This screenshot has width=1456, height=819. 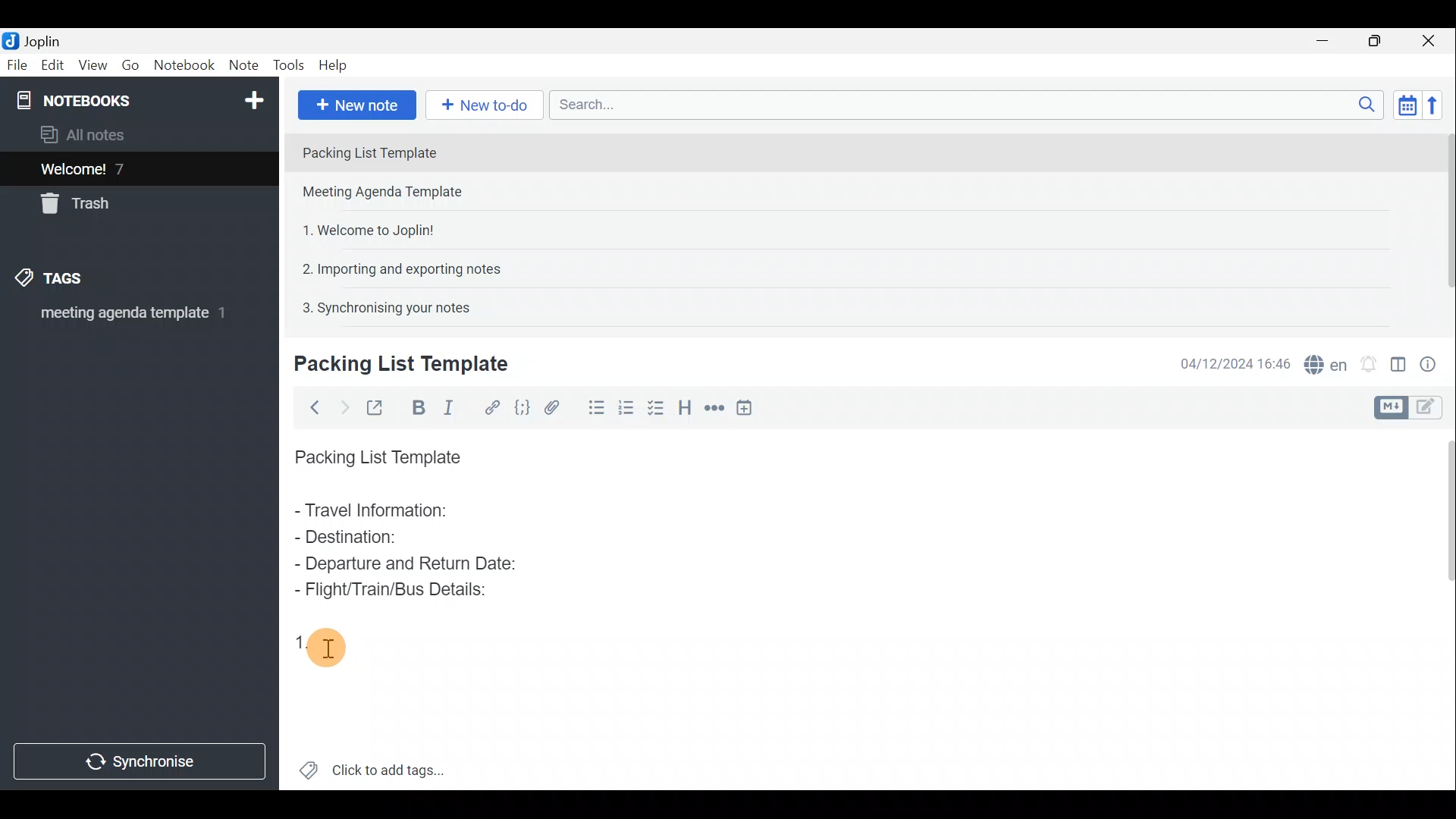 I want to click on Set alarm, so click(x=1368, y=360).